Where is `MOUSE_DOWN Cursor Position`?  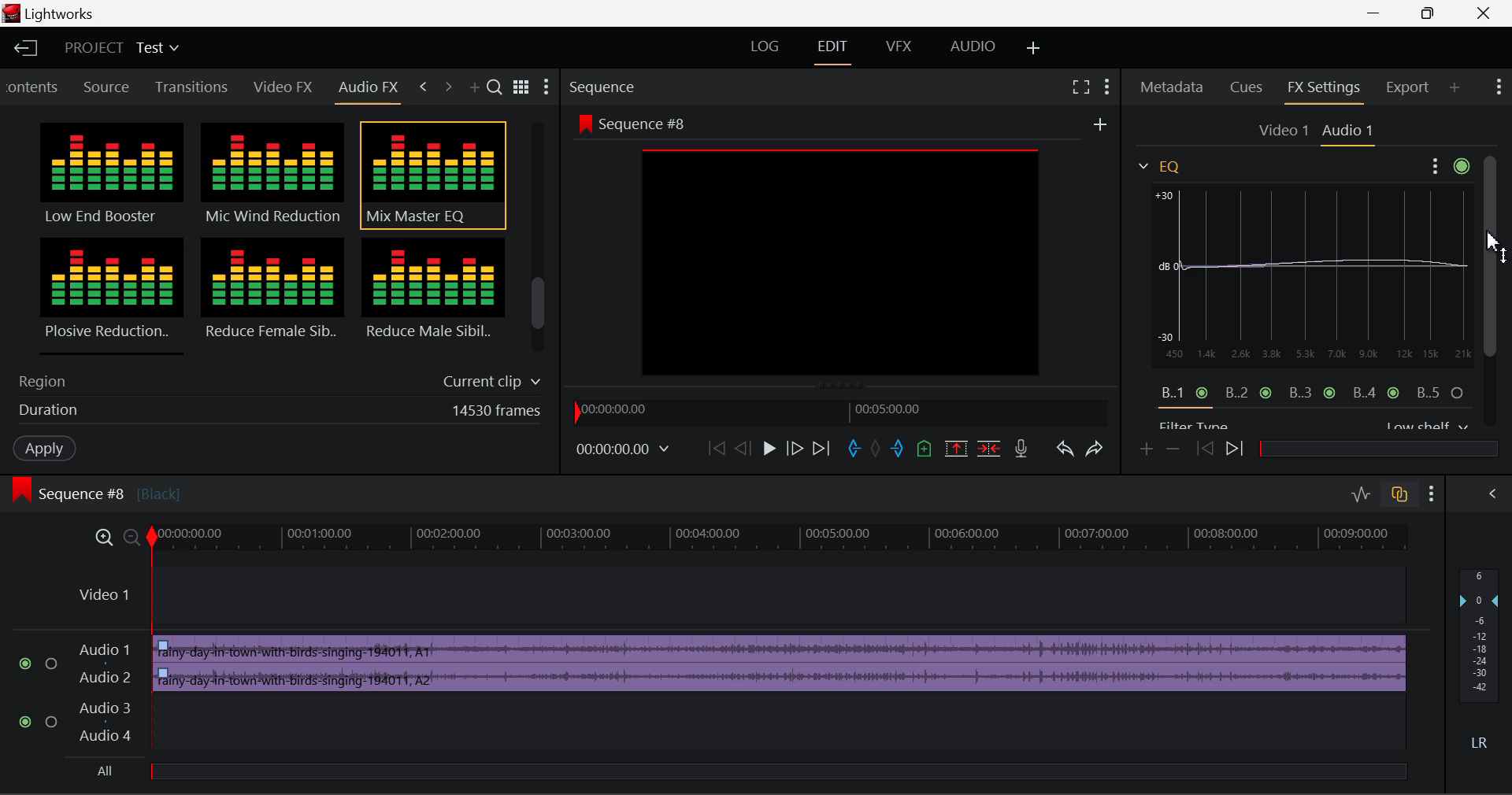 MOUSE_DOWN Cursor Position is located at coordinates (1496, 242).